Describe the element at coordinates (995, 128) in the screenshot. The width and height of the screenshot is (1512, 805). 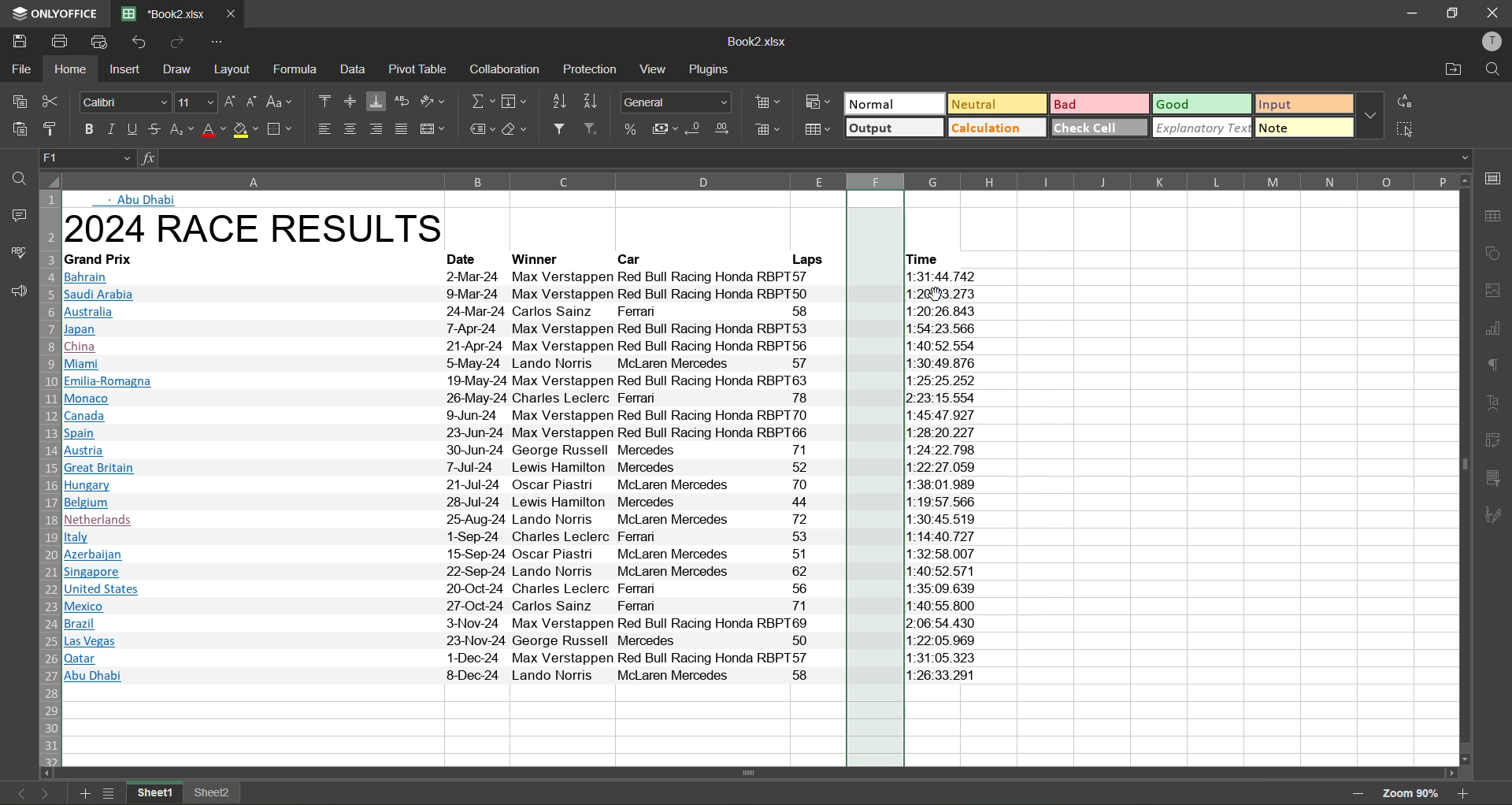
I see `calculation` at that location.